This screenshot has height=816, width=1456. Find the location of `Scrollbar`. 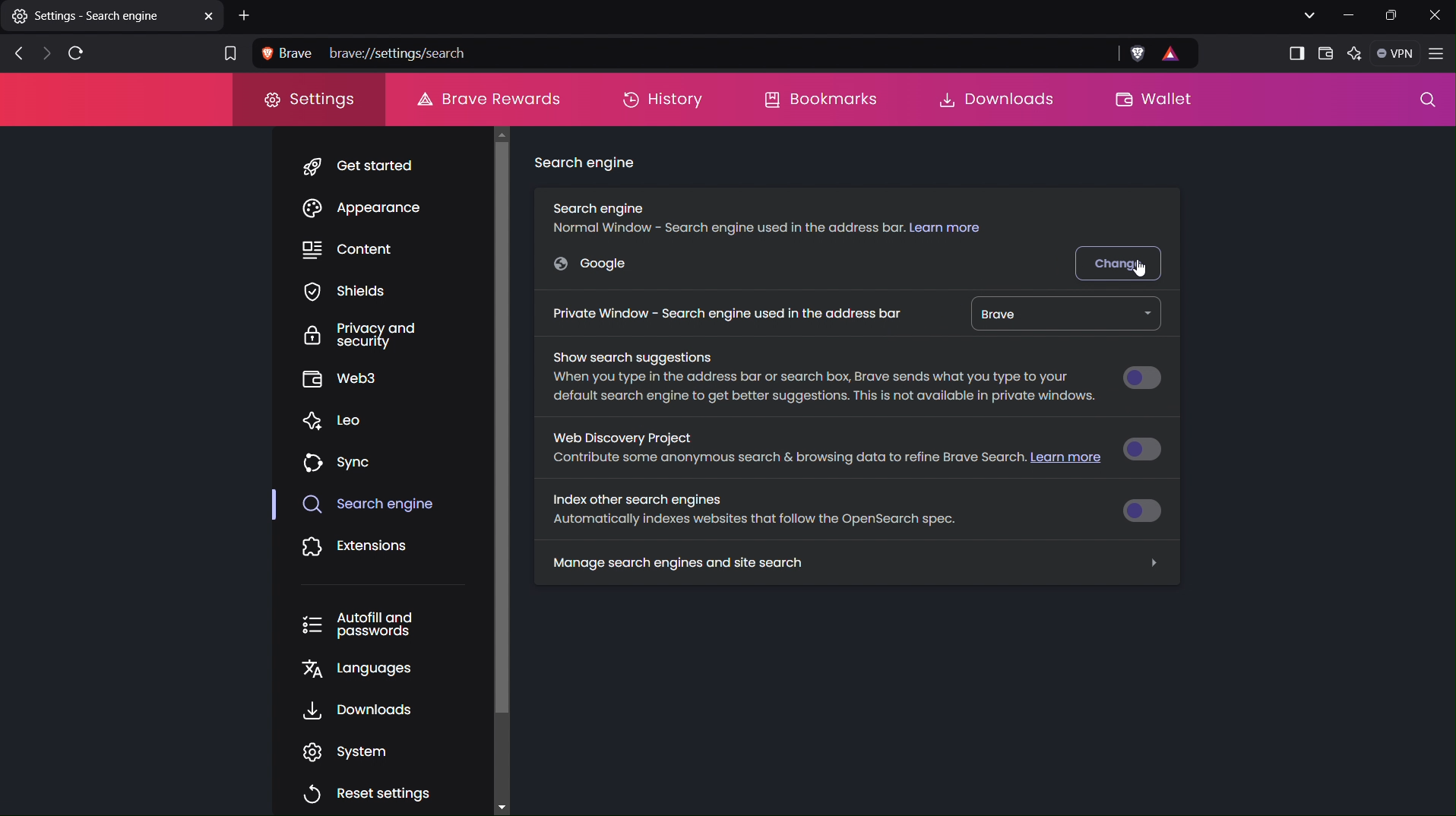

Scrollbar is located at coordinates (497, 464).